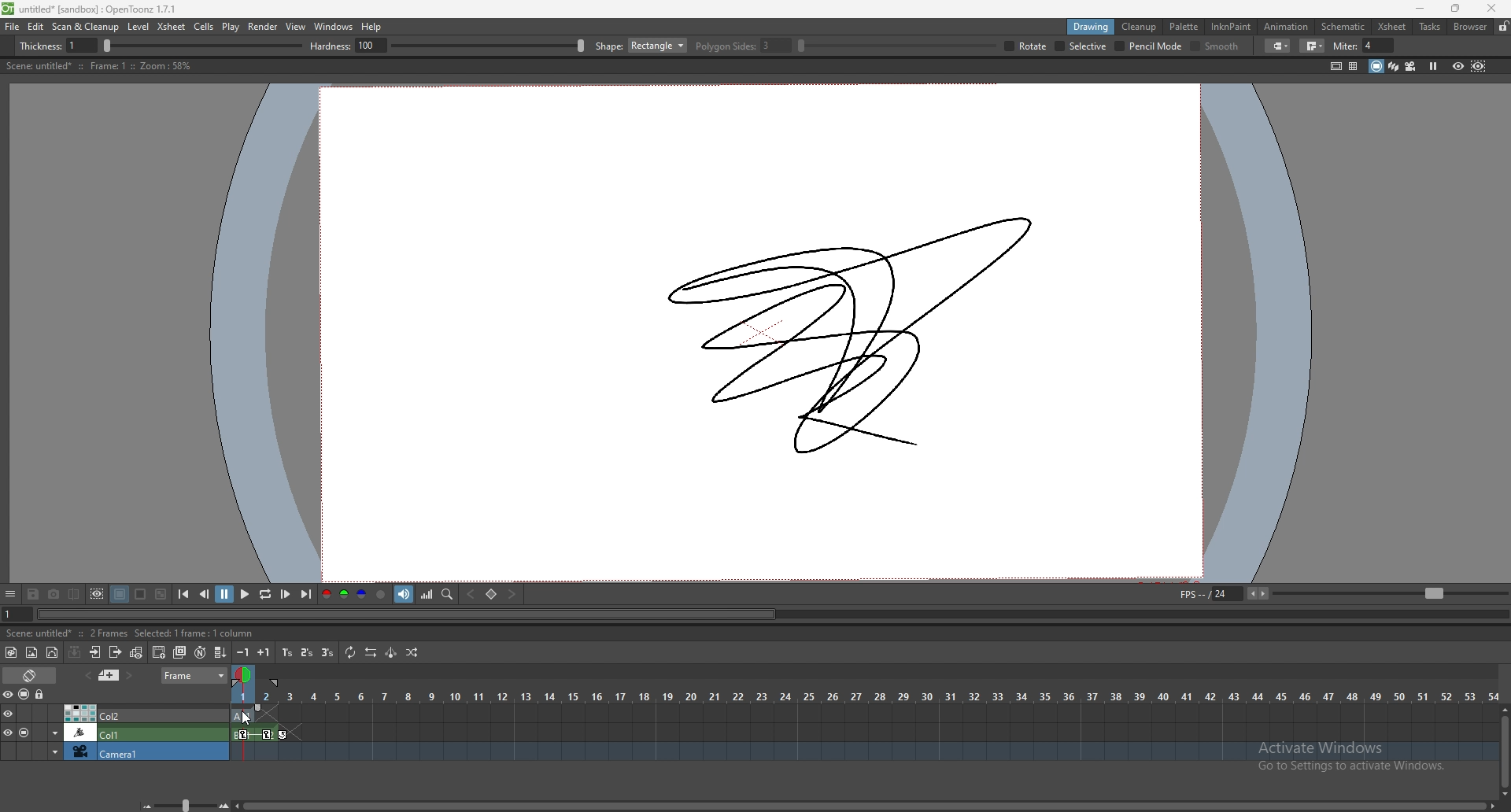  What do you see at coordinates (1455, 9) in the screenshot?
I see `resize` at bounding box center [1455, 9].